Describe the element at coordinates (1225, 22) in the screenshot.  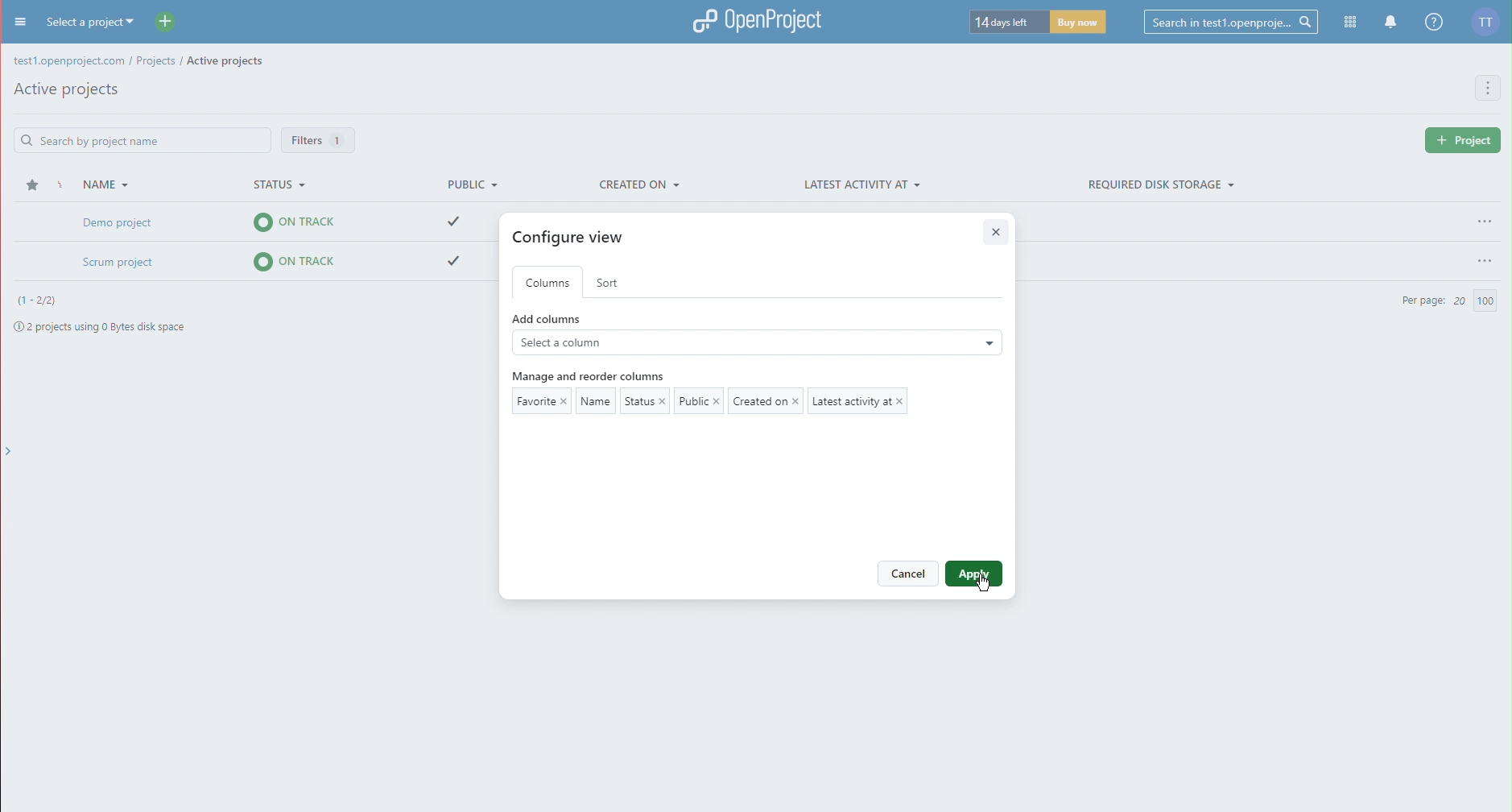
I see `Searchbar` at that location.